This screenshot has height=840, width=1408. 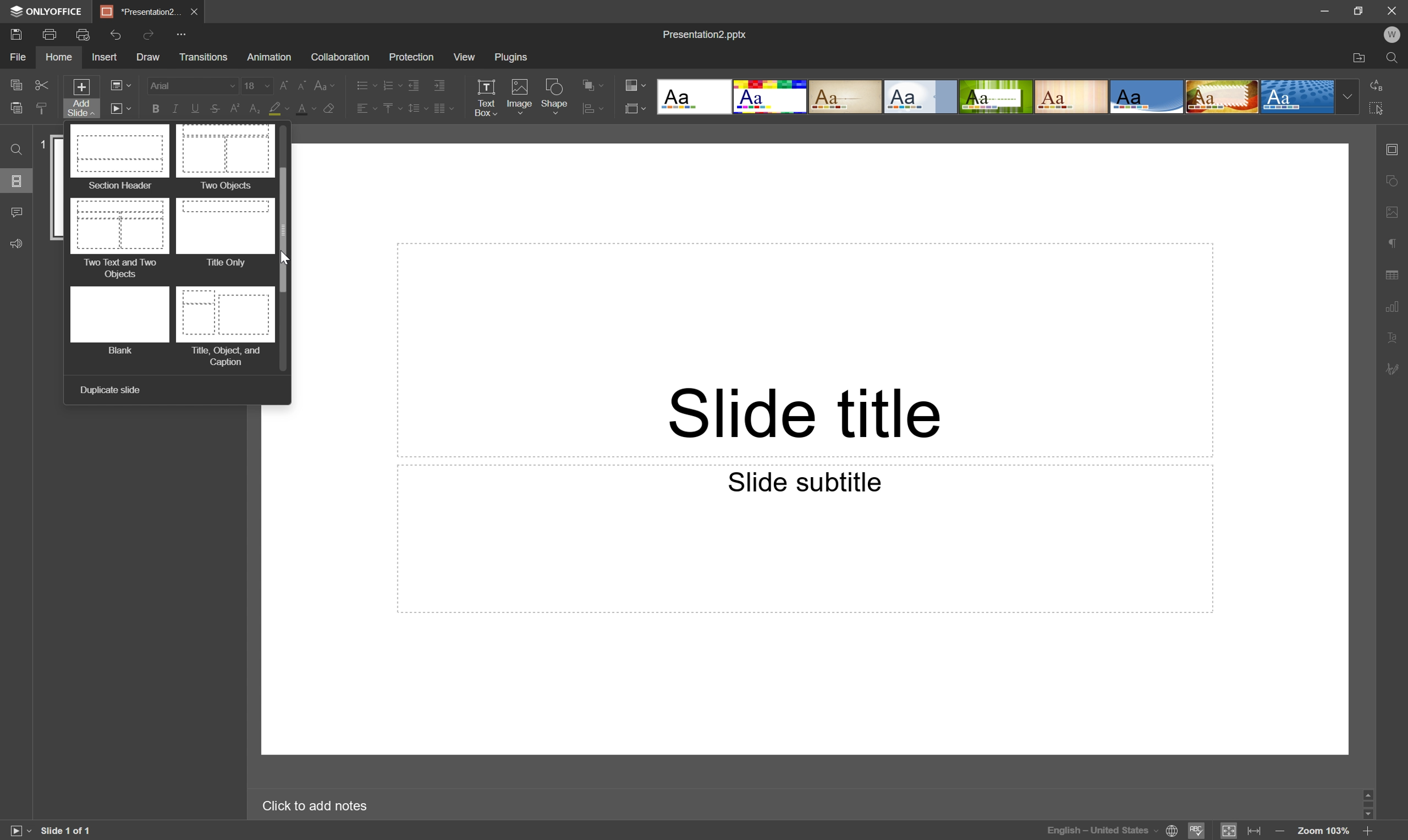 I want to click on Find, so click(x=15, y=150).